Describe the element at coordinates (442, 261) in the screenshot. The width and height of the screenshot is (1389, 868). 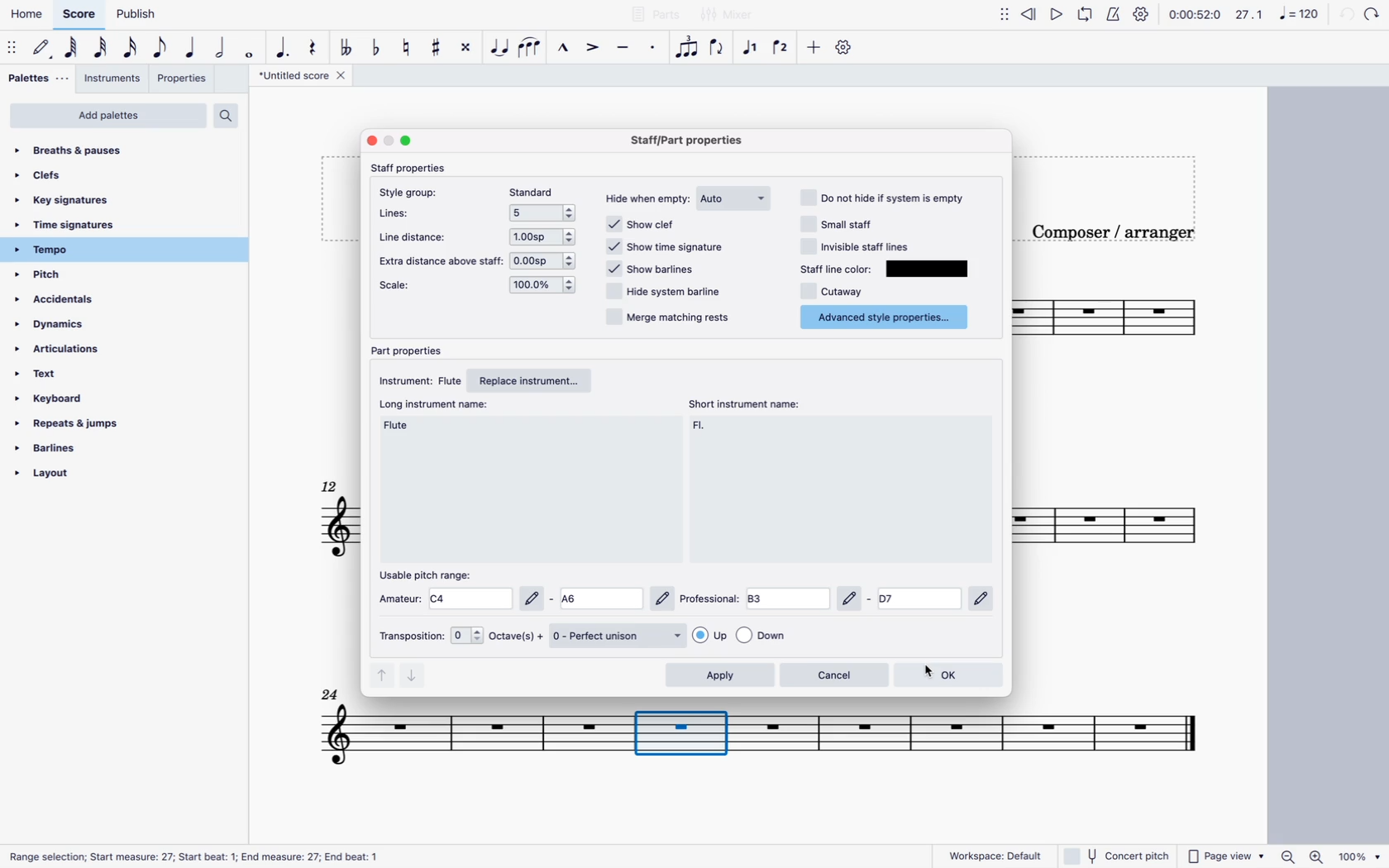
I see `extra distance above staff` at that location.